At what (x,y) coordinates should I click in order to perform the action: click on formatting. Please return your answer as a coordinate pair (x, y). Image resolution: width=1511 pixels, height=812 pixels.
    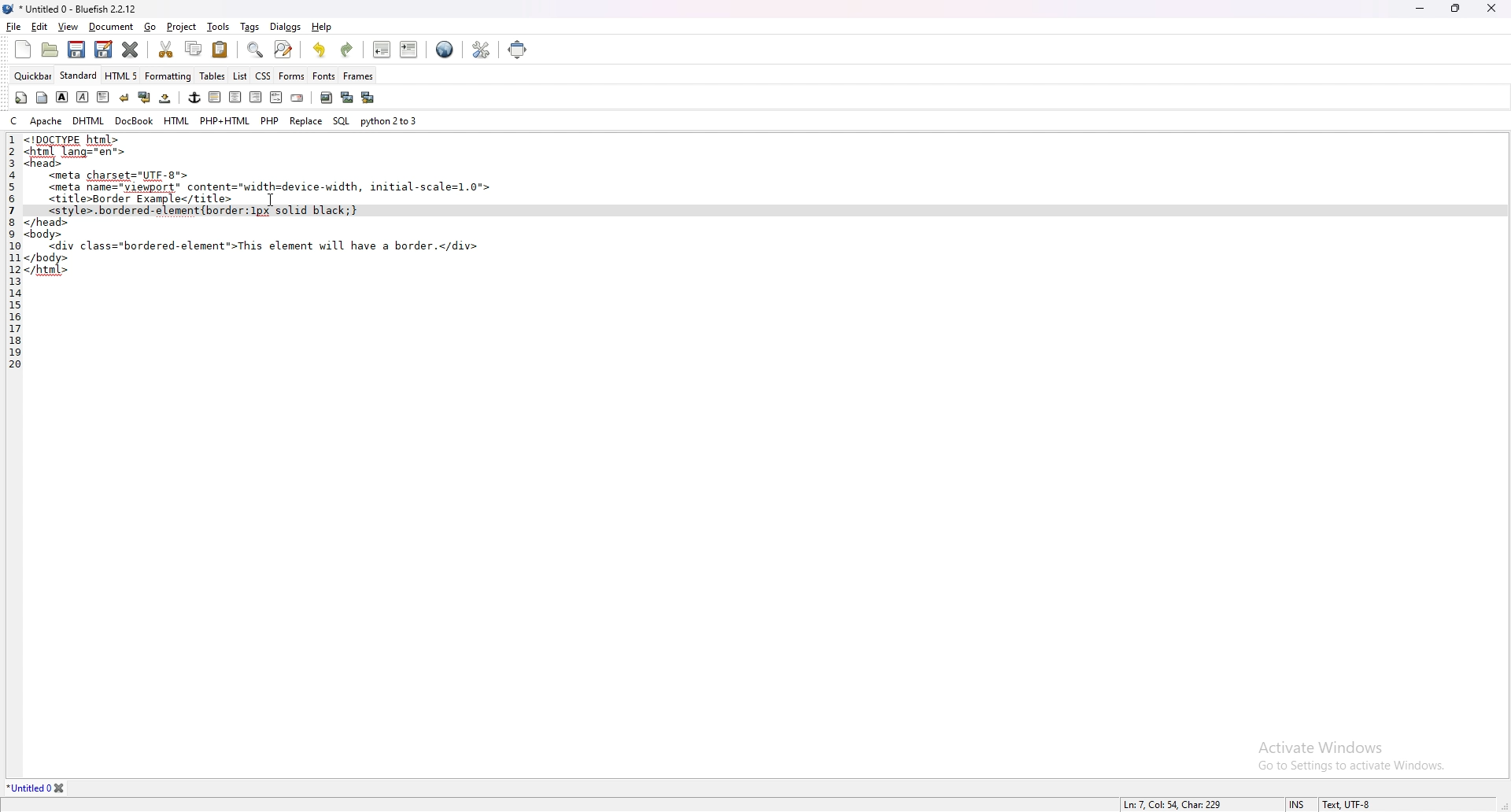
    Looking at the image, I should click on (168, 76).